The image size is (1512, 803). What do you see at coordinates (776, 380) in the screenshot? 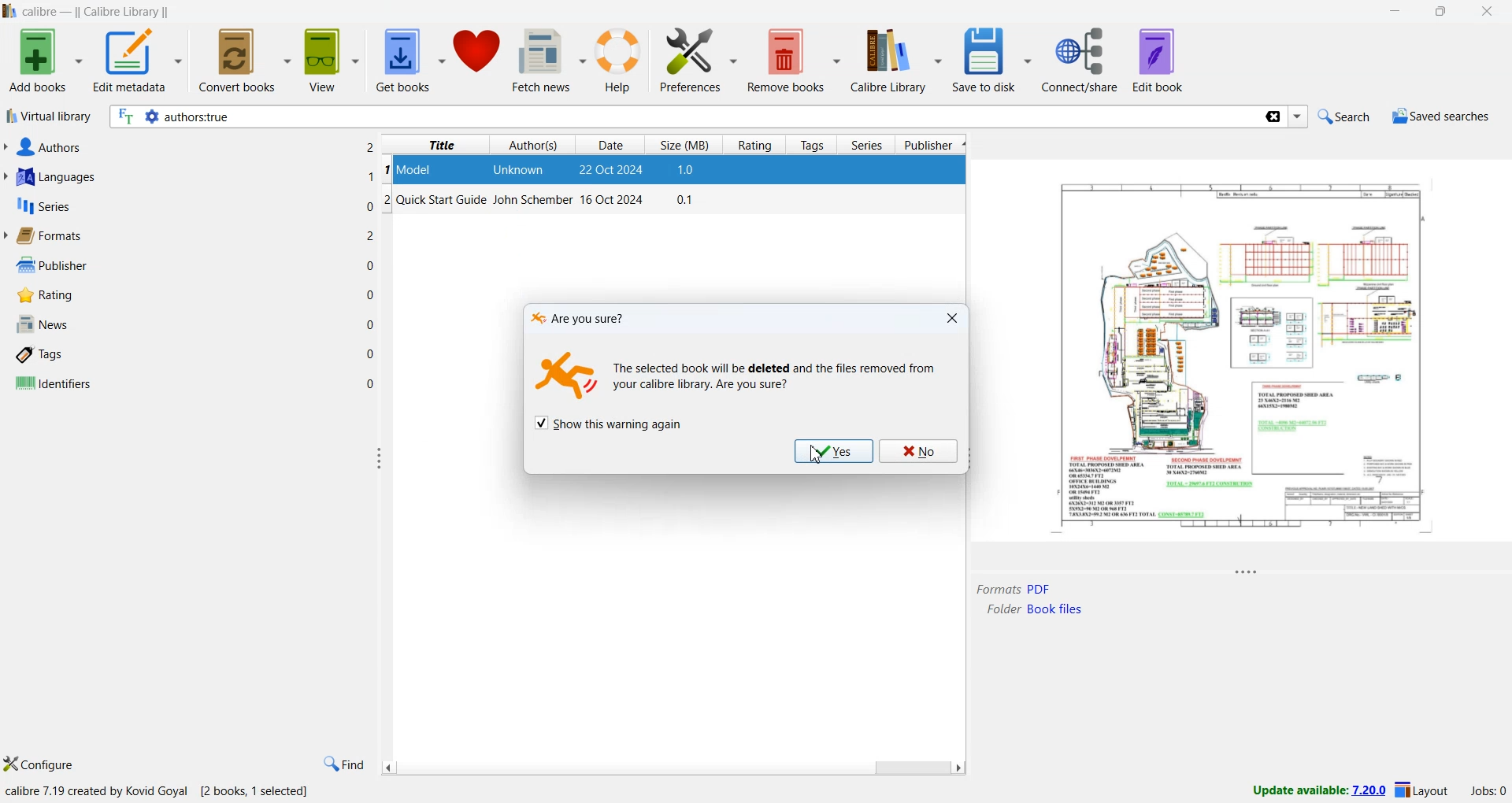
I see `text` at bounding box center [776, 380].